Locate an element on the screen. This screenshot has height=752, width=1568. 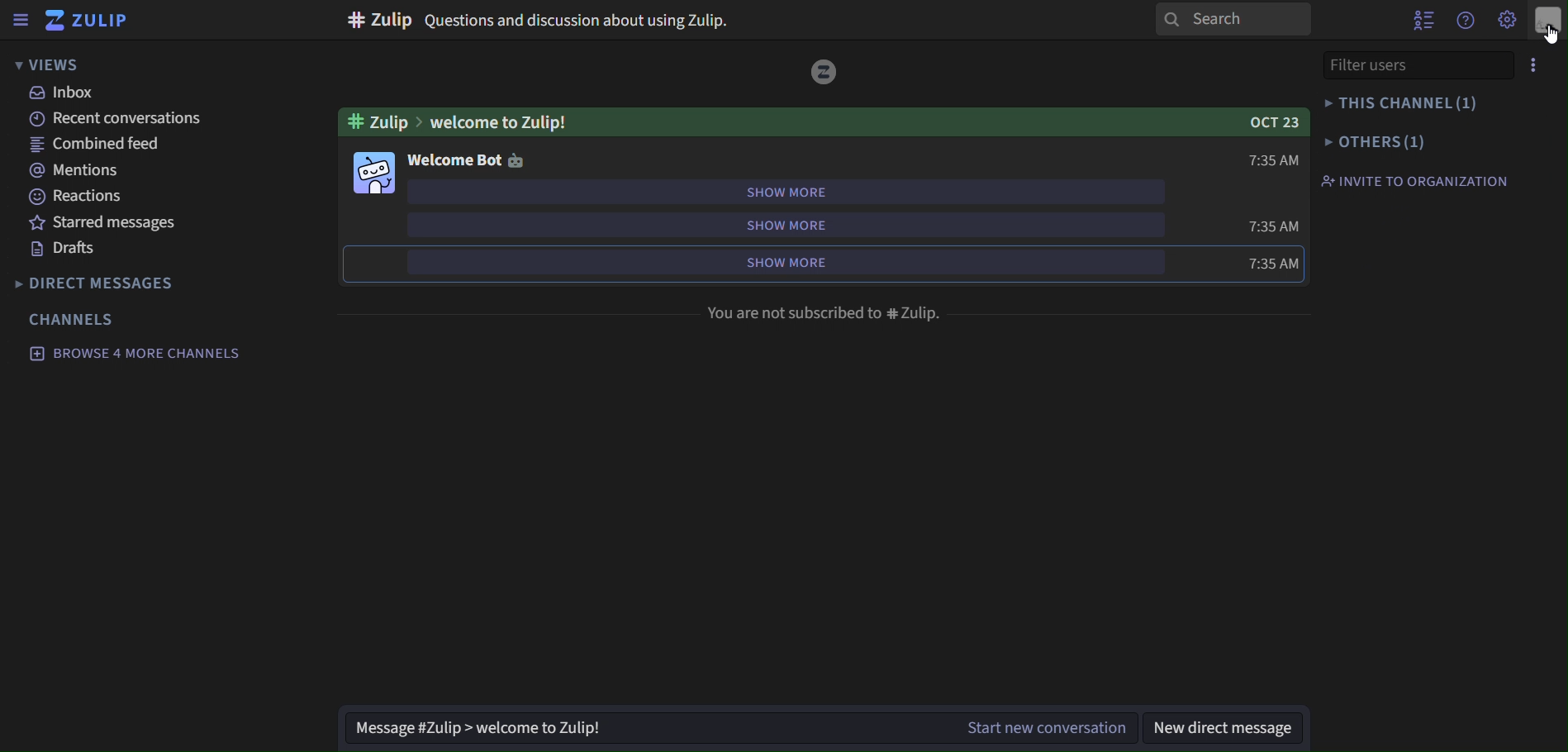
mentions is located at coordinates (74, 169).